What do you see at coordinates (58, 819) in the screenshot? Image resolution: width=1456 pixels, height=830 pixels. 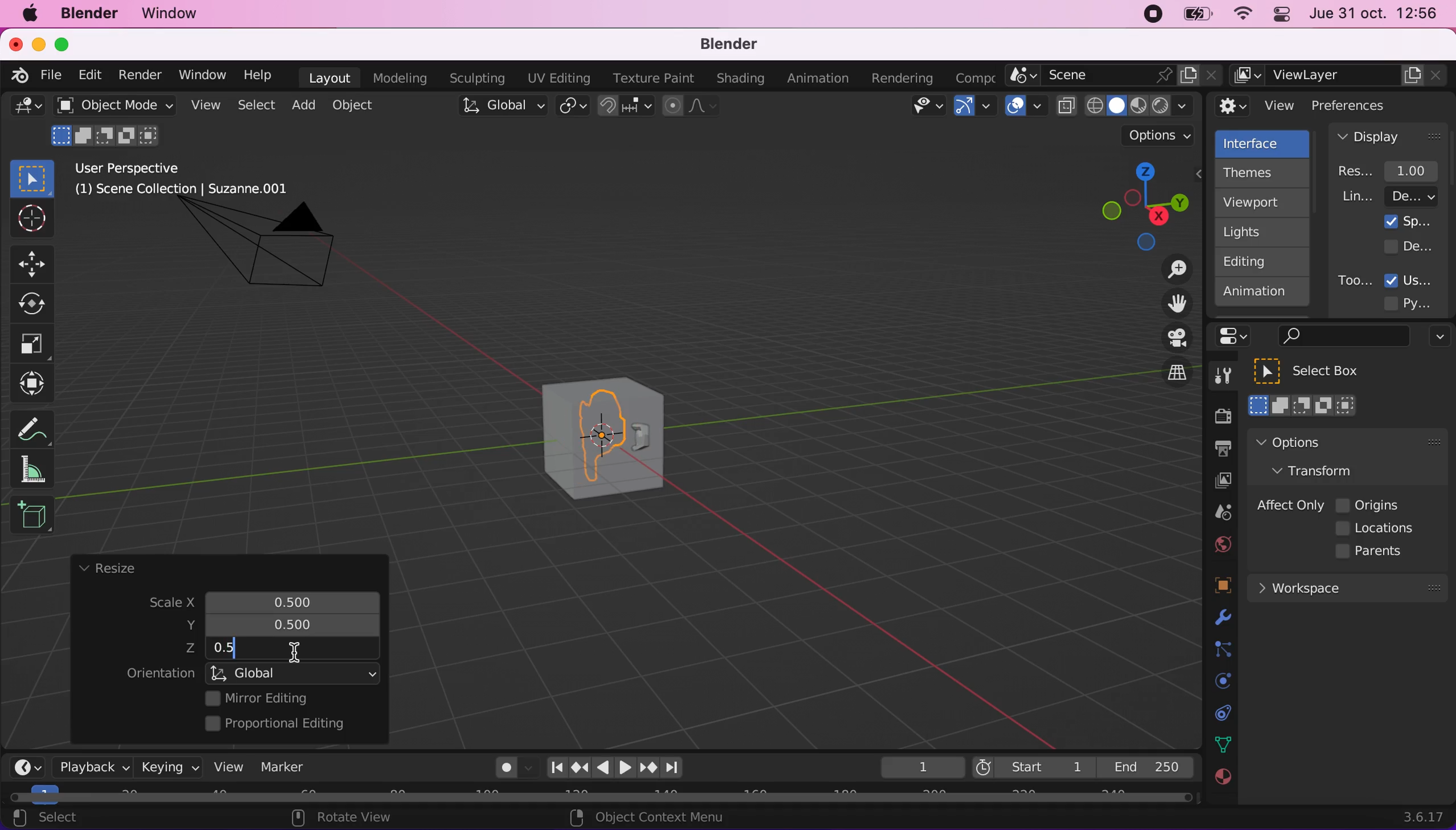 I see `select` at bounding box center [58, 819].